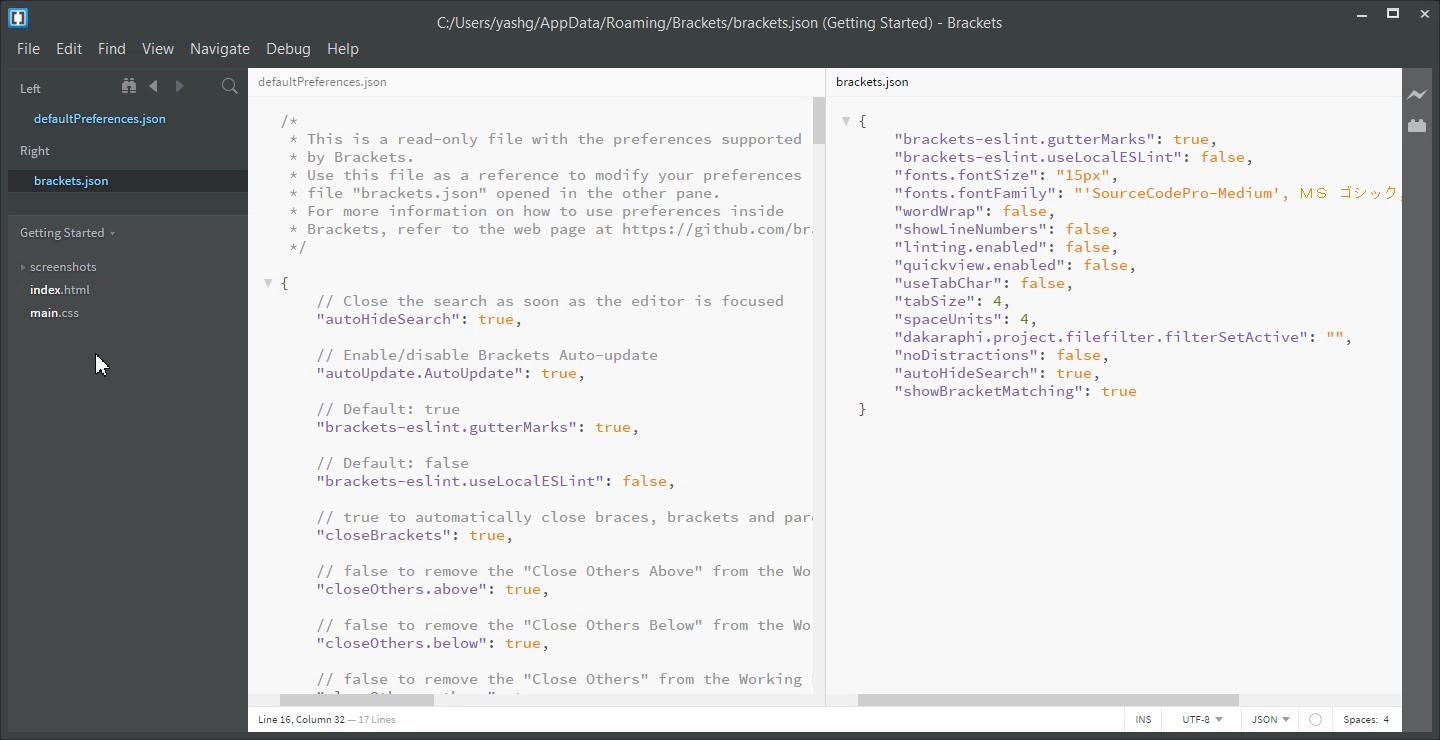  I want to click on Edit, so click(69, 49).